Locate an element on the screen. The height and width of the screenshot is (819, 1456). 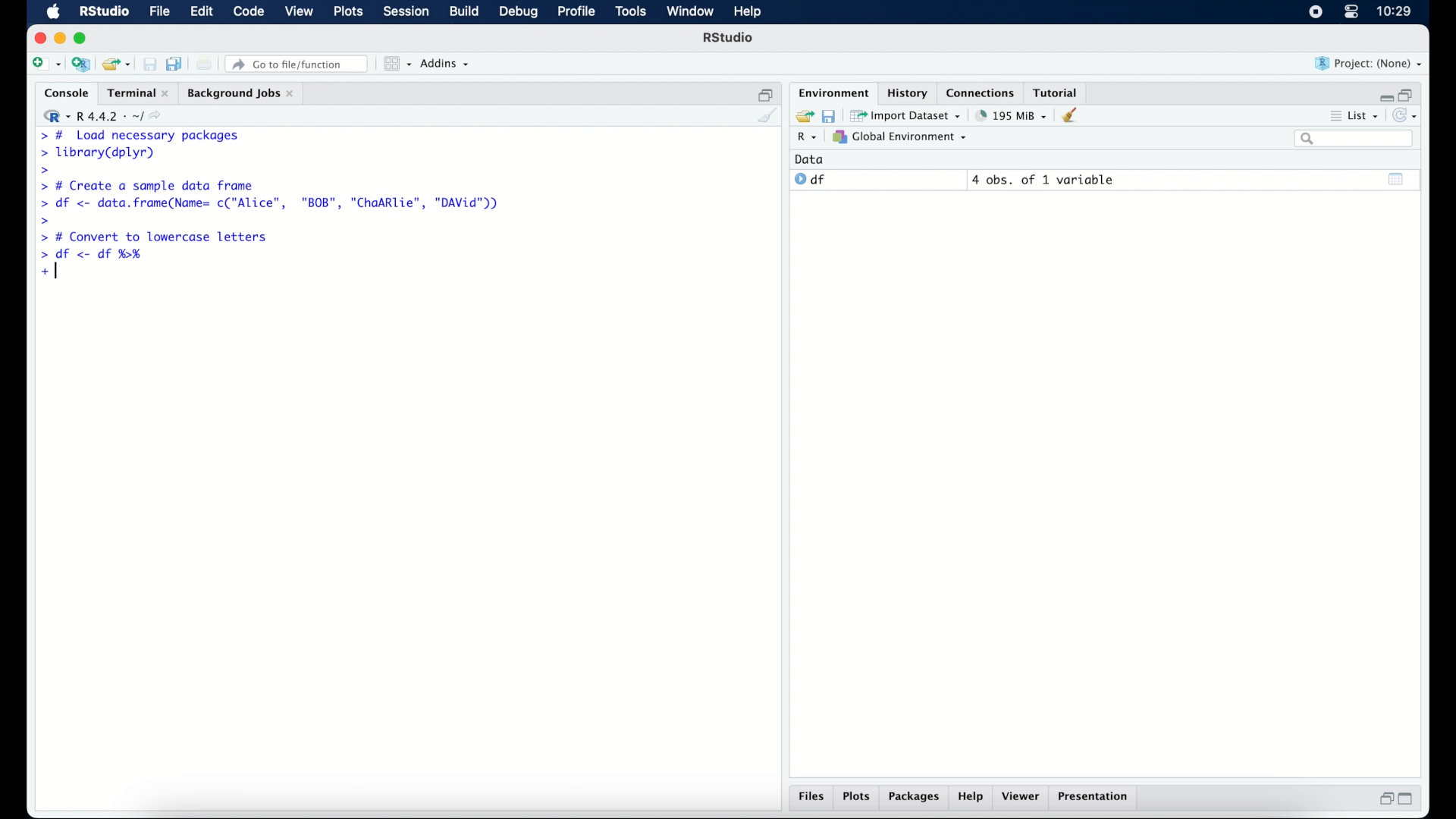
command prompt is located at coordinates (45, 220).